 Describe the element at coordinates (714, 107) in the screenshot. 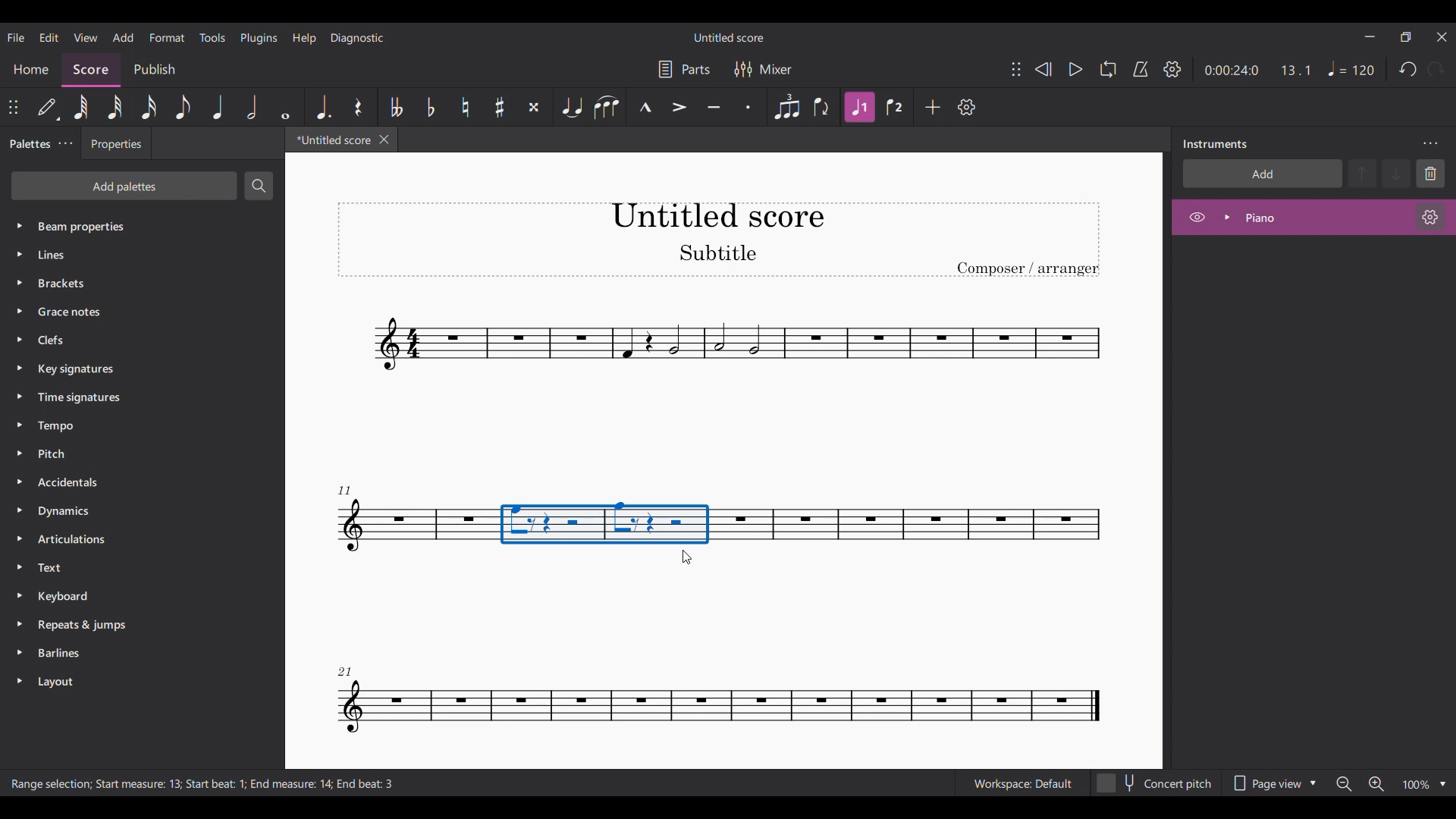

I see `Tenuto` at that location.